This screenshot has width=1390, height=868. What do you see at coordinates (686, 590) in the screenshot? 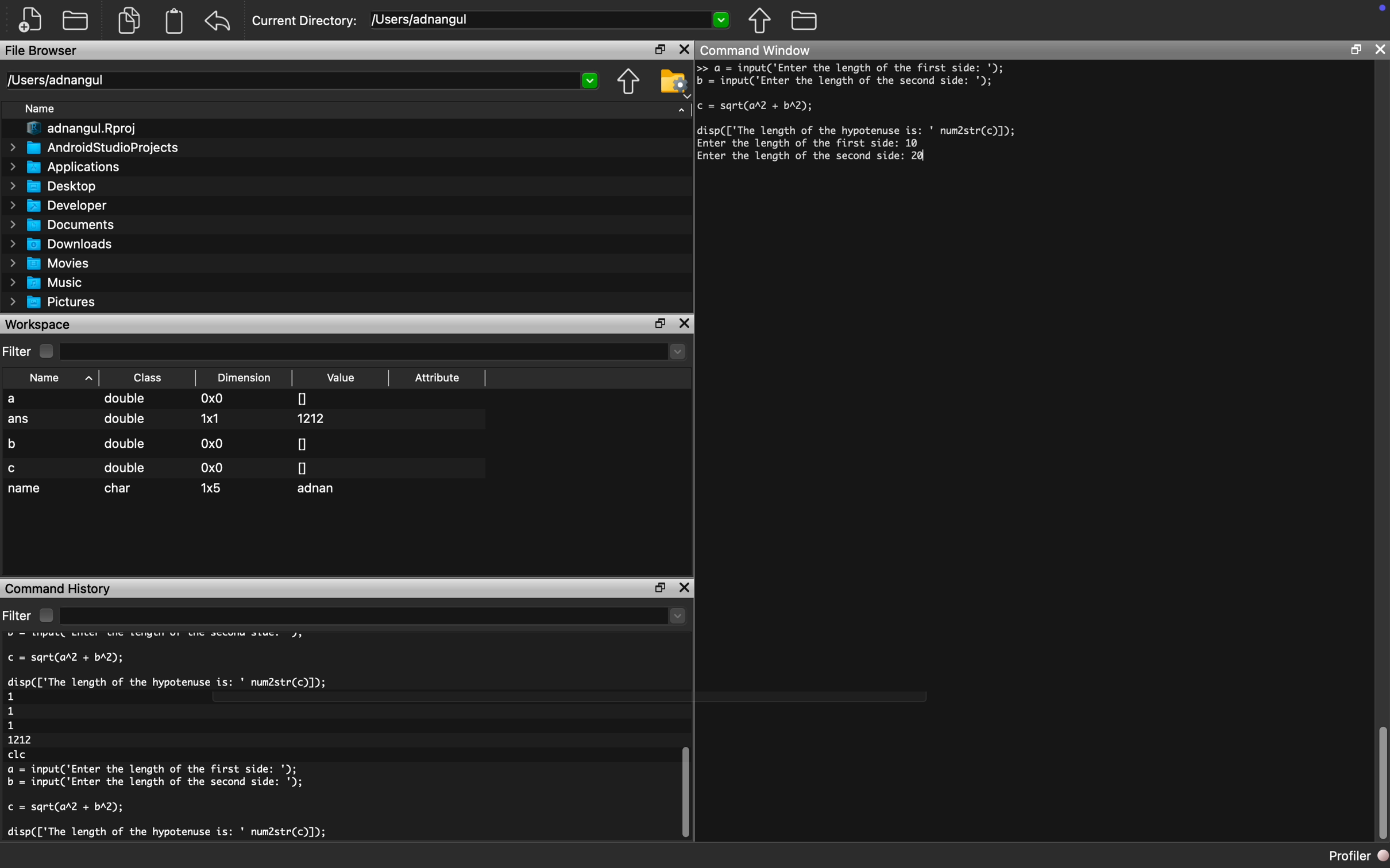
I see `close` at bounding box center [686, 590].